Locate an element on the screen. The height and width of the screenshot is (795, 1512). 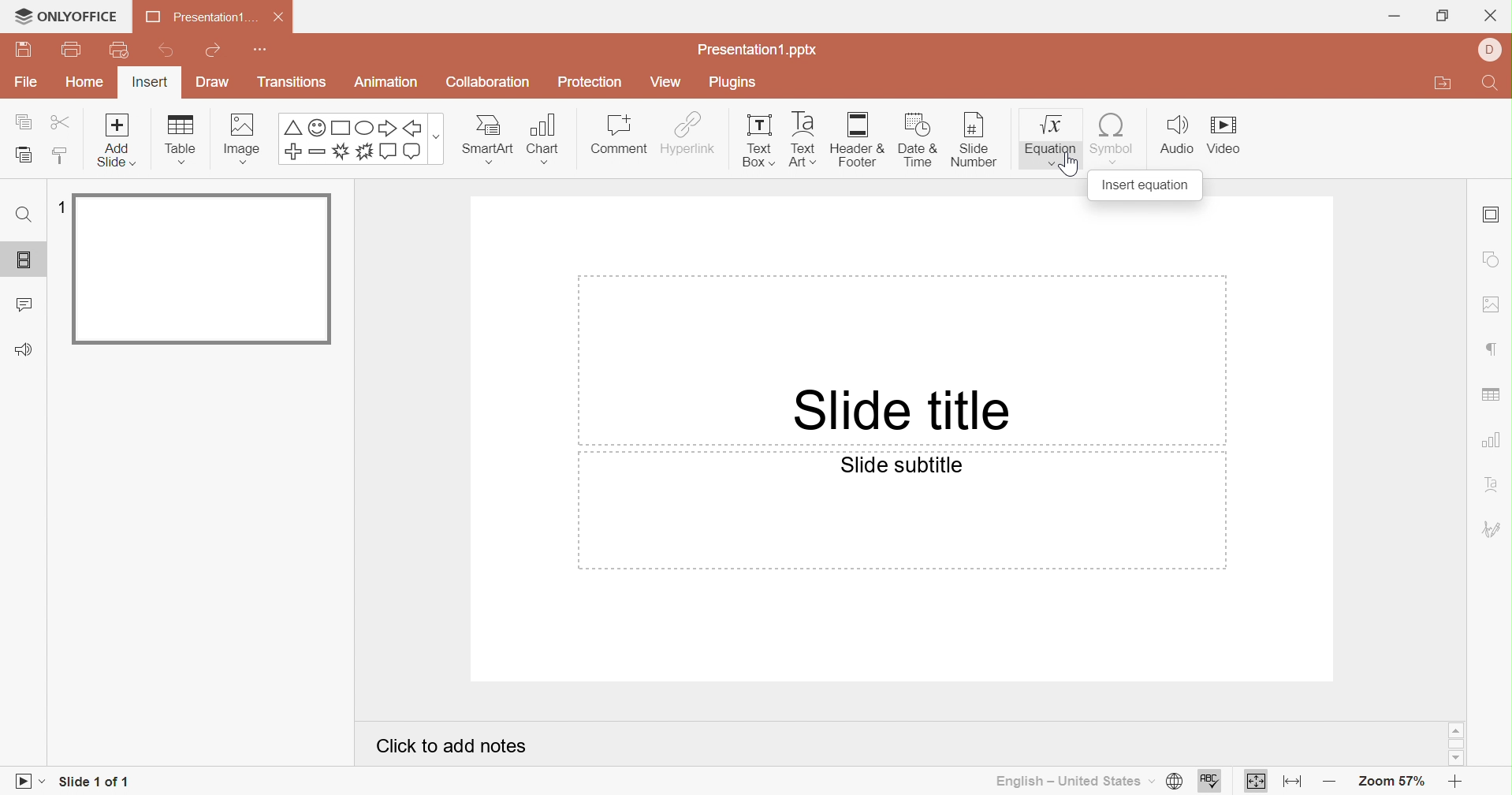
Redo is located at coordinates (214, 52).